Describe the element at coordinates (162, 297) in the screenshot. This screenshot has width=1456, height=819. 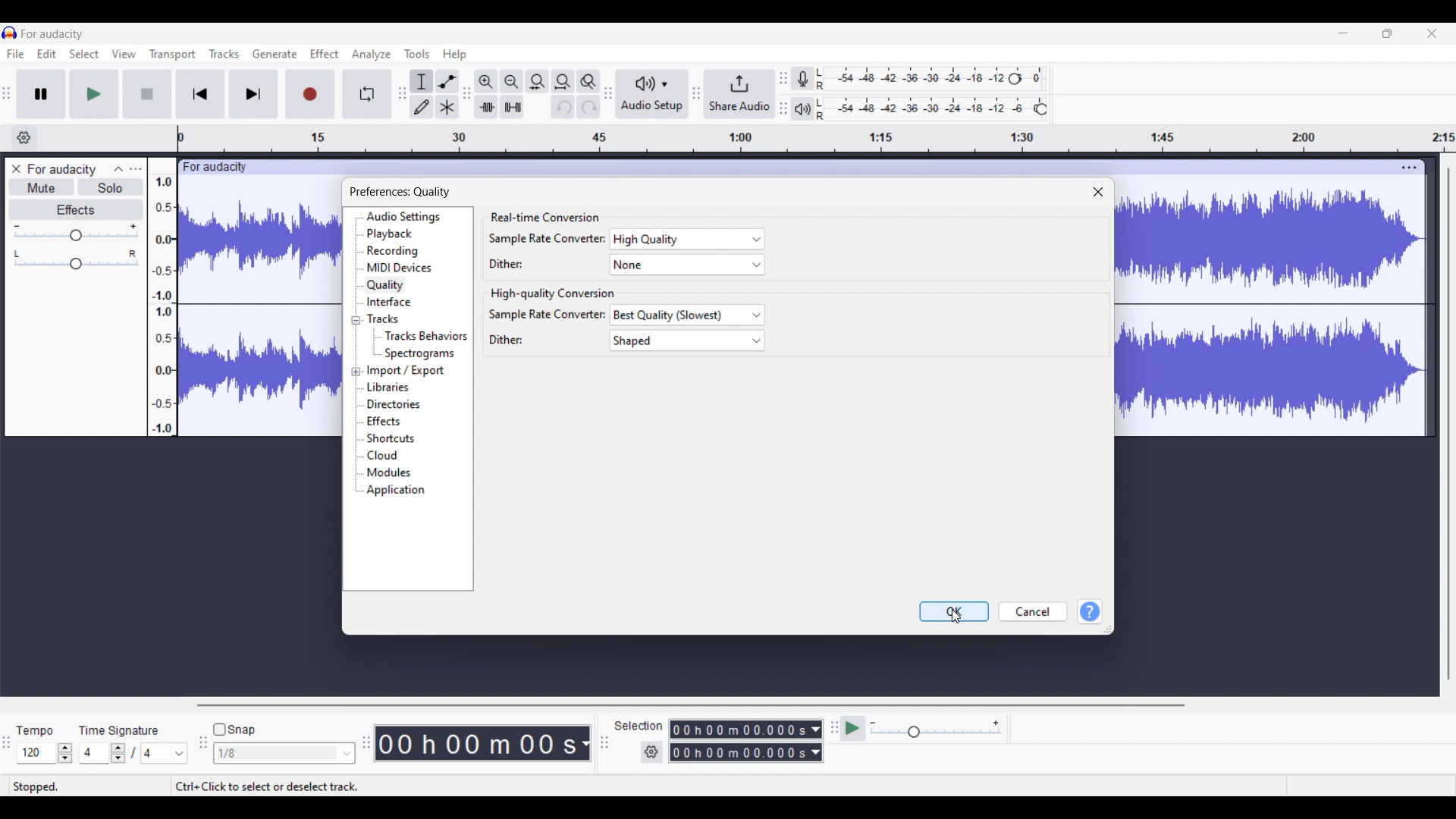
I see `Scale to measure intensity of waves in track` at that location.